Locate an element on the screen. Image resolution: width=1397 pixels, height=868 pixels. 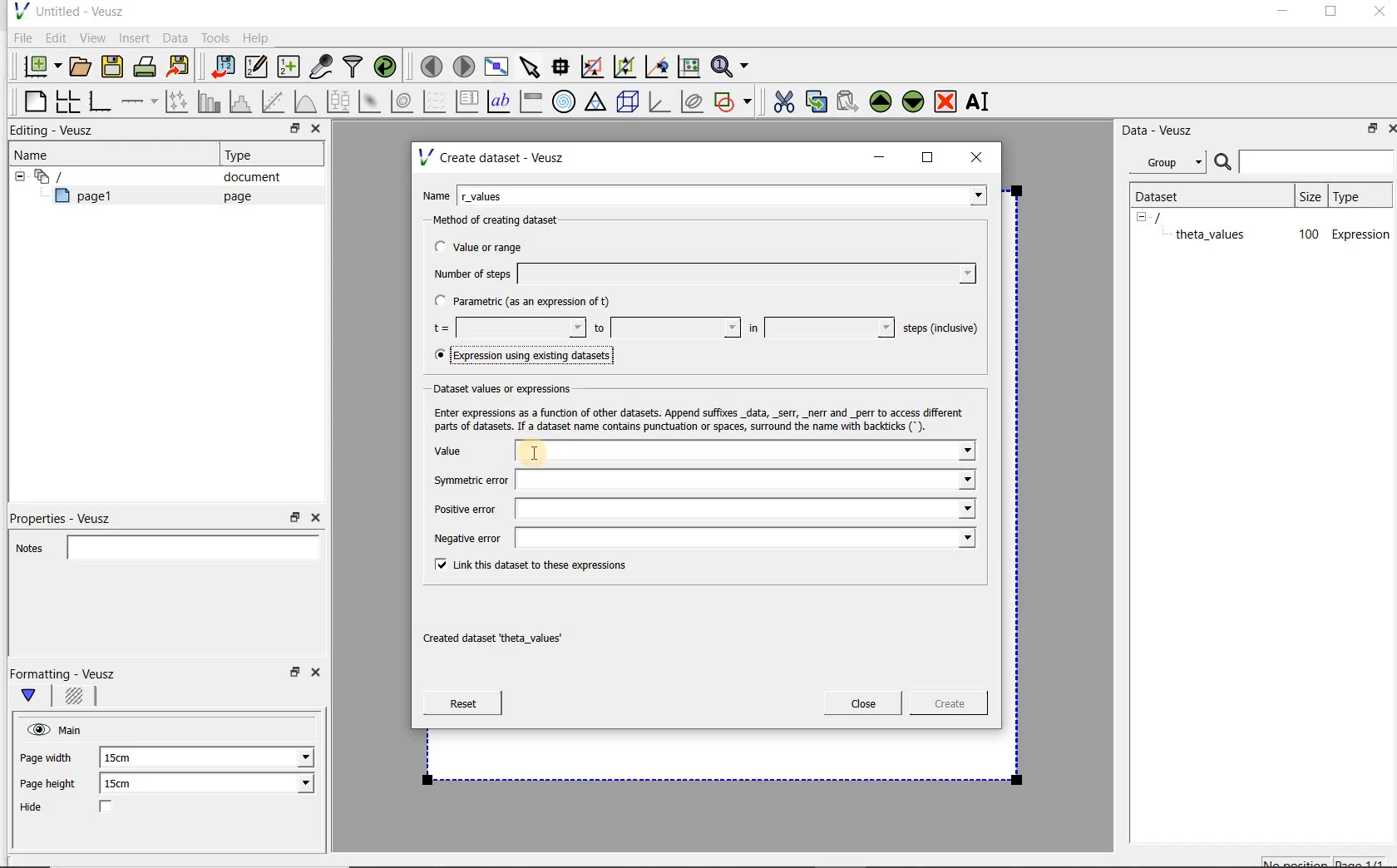
add an axis to a plot is located at coordinates (141, 101).